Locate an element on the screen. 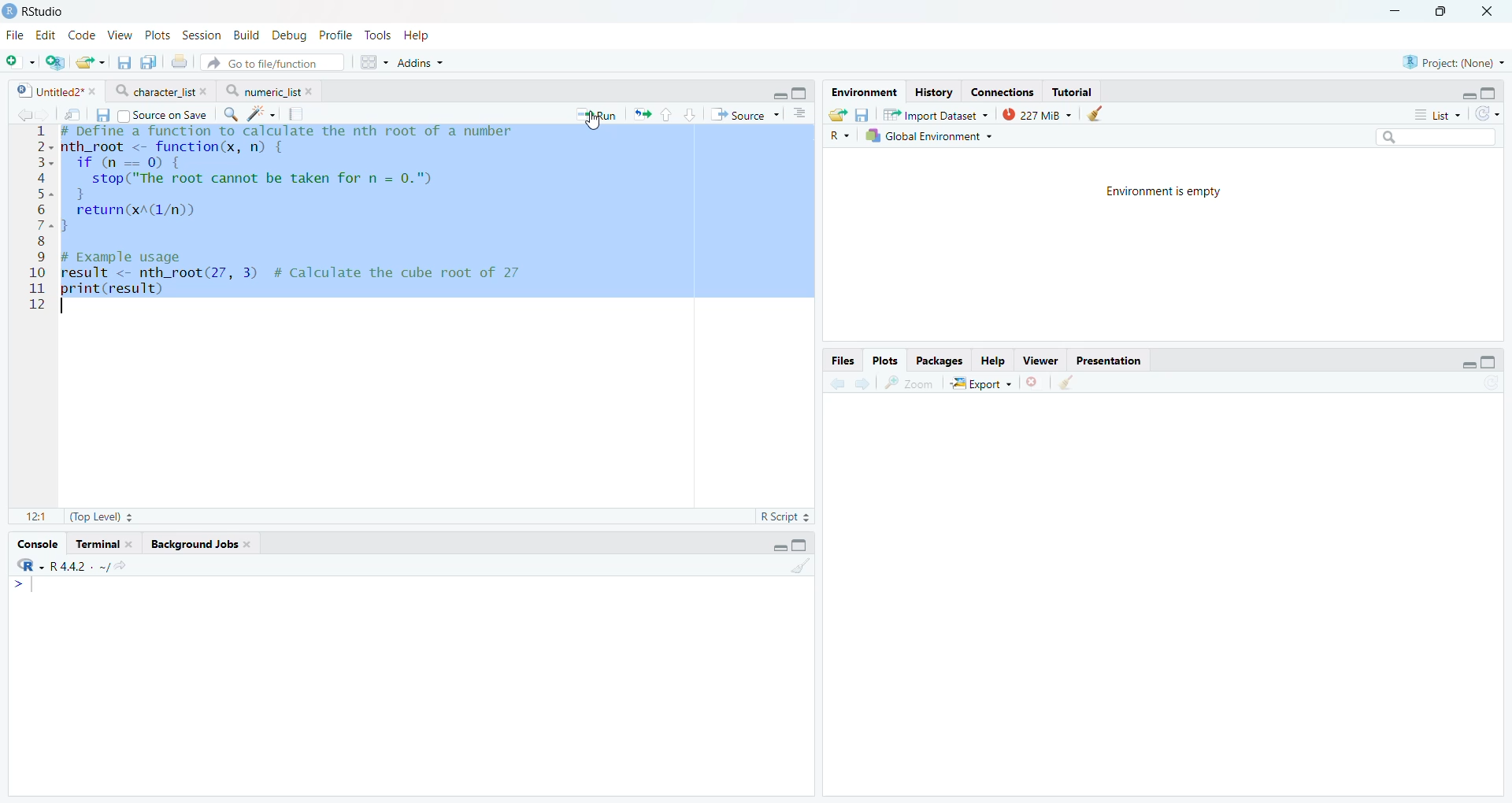  Open new file is located at coordinates (18, 62).